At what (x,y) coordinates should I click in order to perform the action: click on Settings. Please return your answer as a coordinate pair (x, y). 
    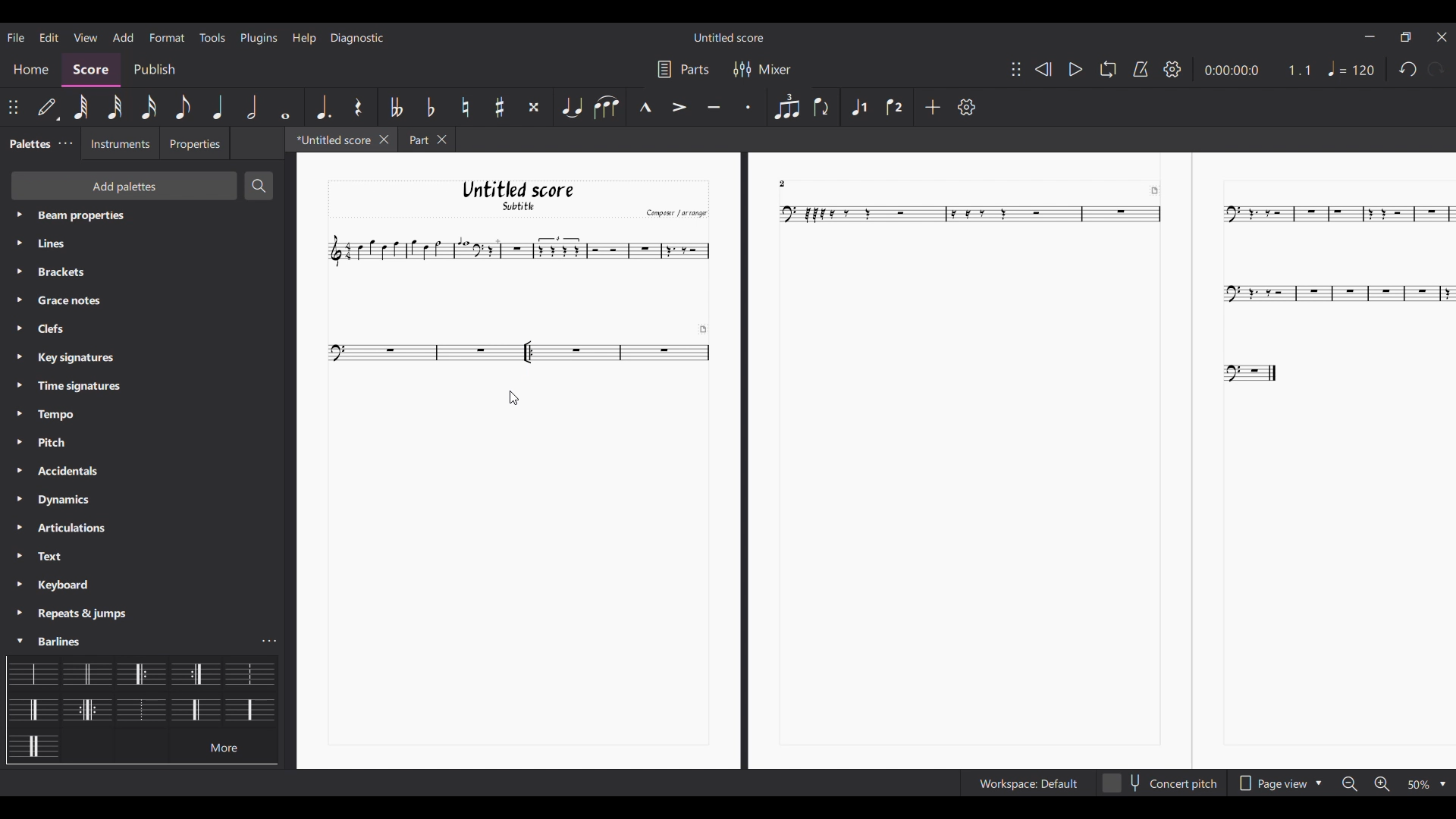
    Looking at the image, I should click on (967, 107).